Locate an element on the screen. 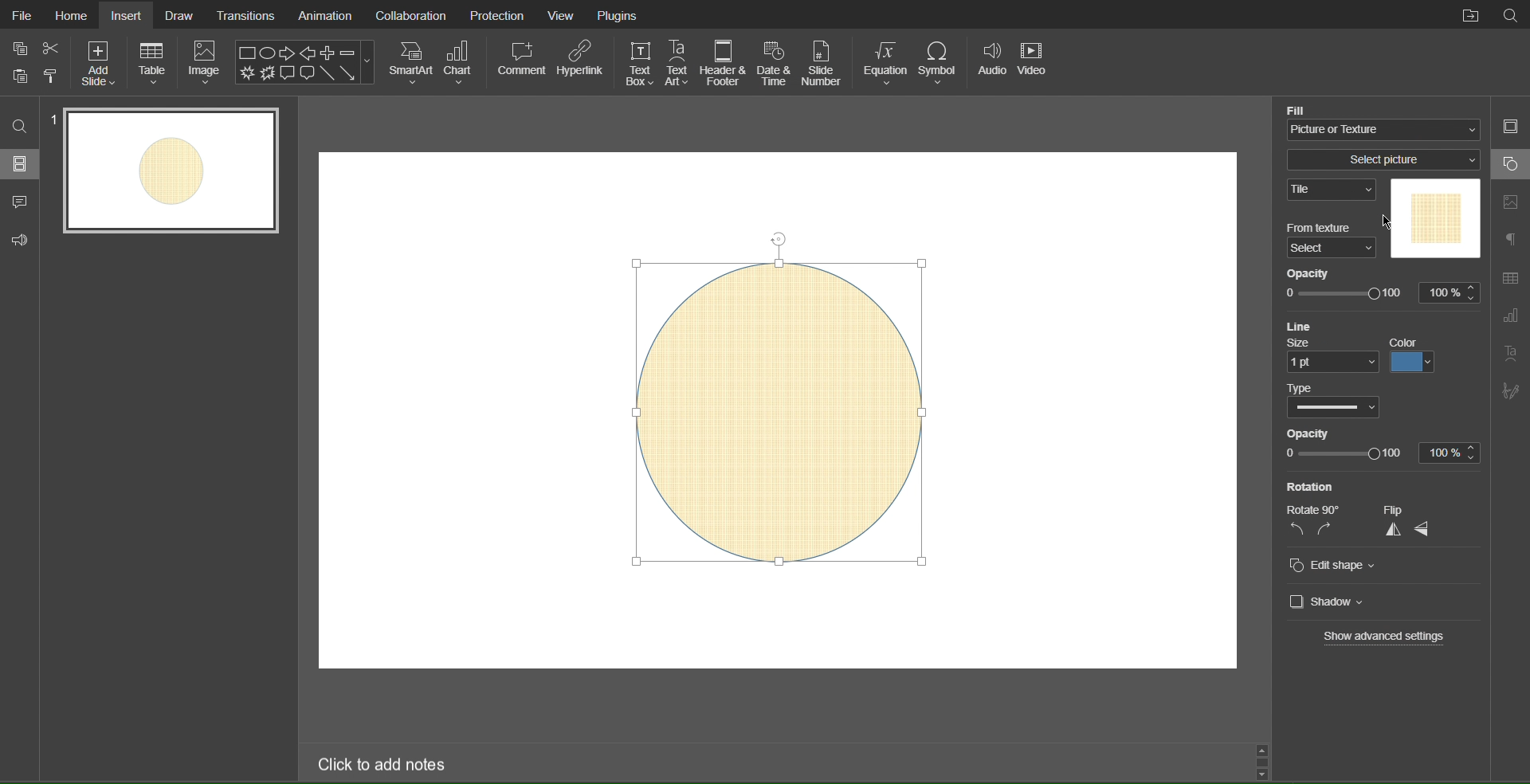 The height and width of the screenshot is (784, 1530). Audio is located at coordinates (992, 64).